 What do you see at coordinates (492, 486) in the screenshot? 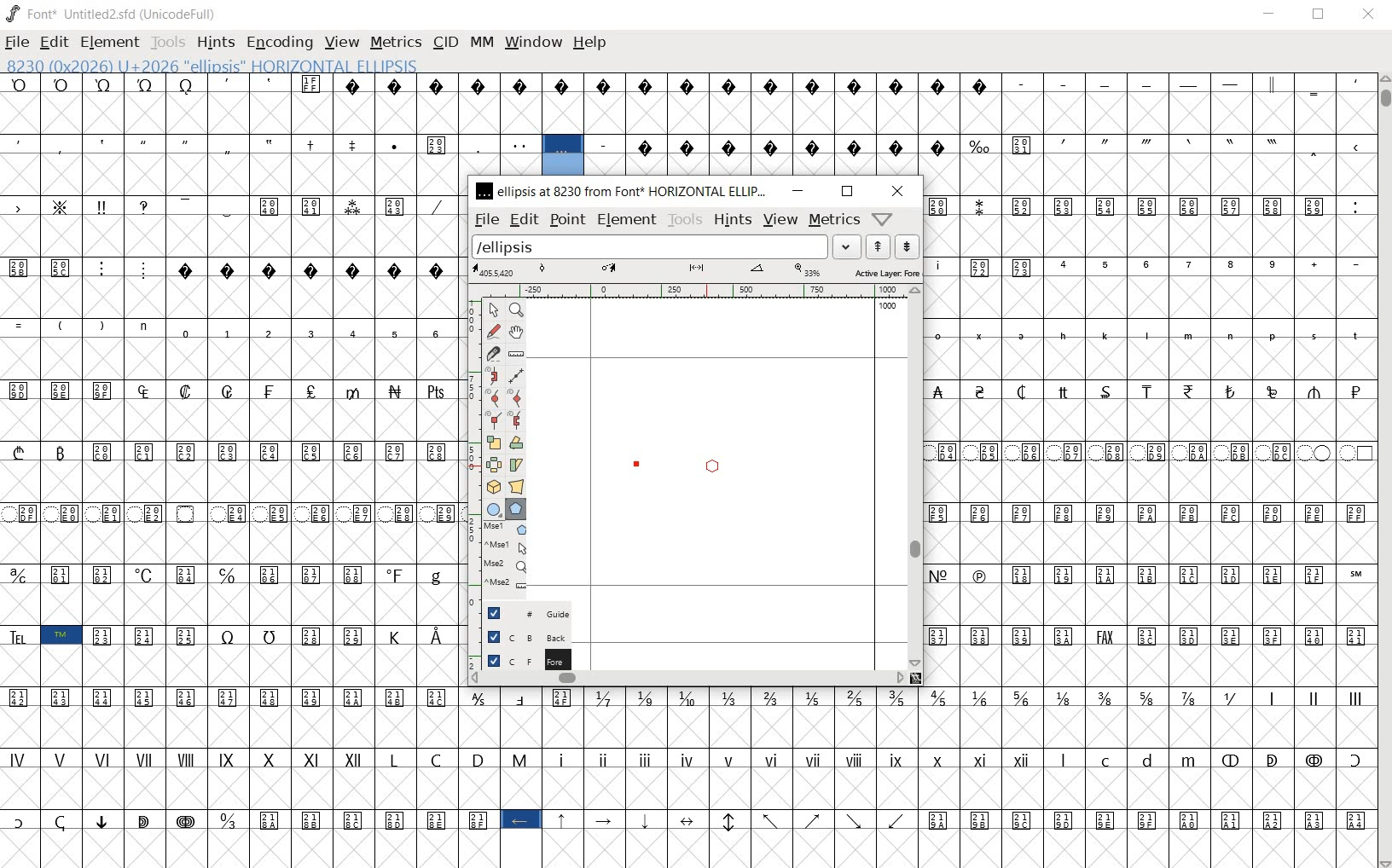
I see `rotate the selection in 3D and project back to plane` at bounding box center [492, 486].